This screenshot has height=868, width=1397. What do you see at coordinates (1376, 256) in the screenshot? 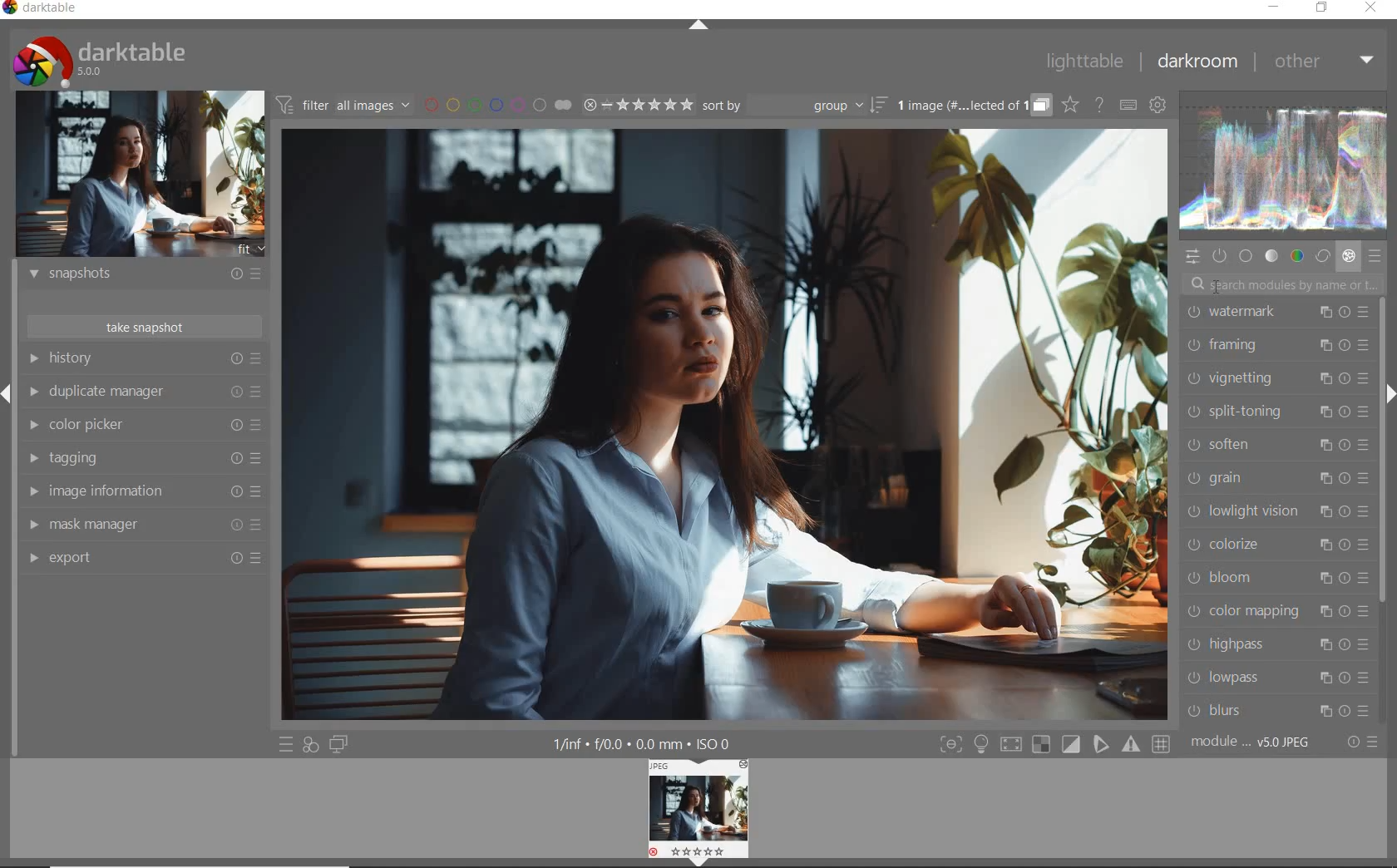
I see `presets` at bounding box center [1376, 256].